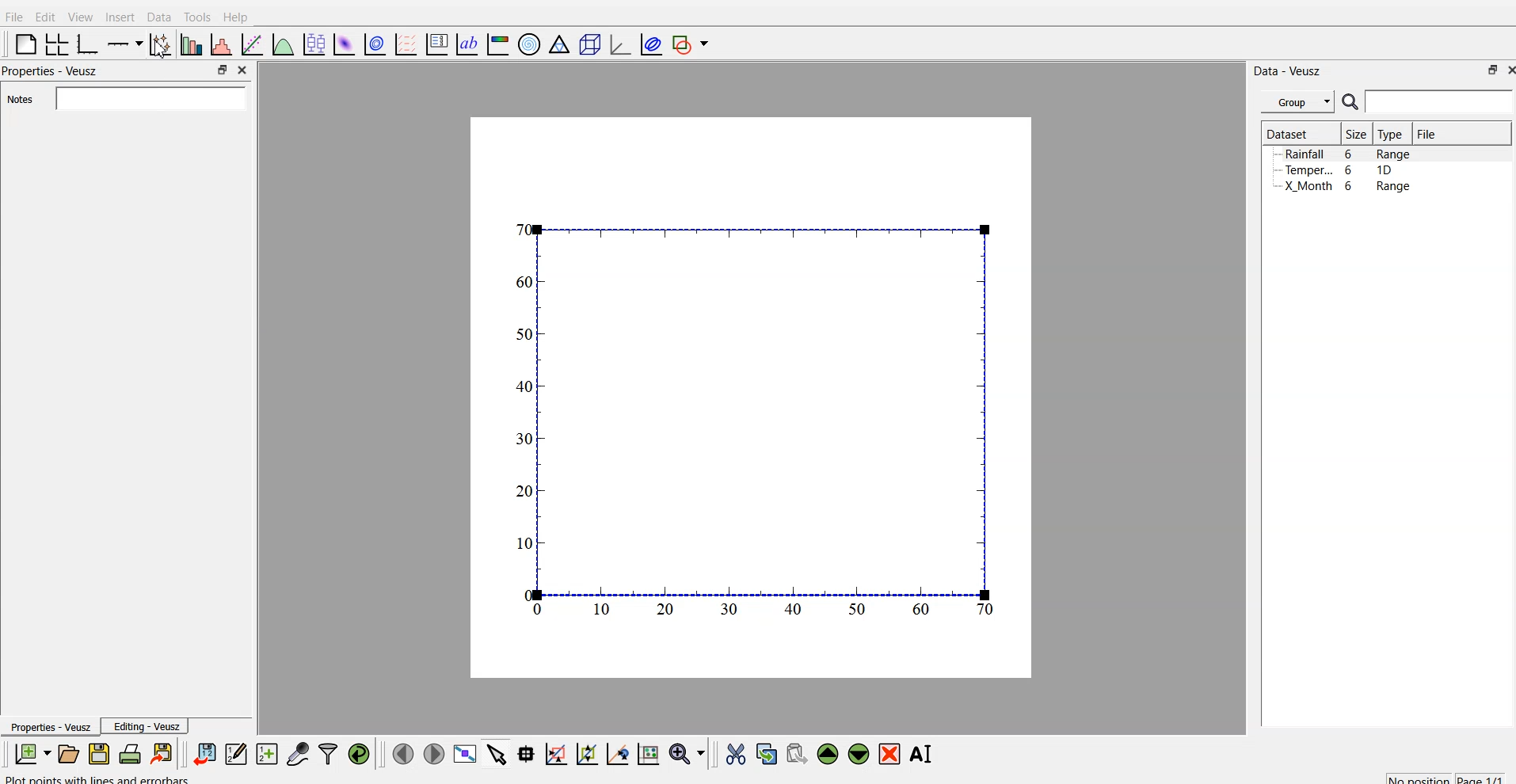 This screenshot has height=784, width=1516. What do you see at coordinates (1350, 102) in the screenshot?
I see `search icon` at bounding box center [1350, 102].